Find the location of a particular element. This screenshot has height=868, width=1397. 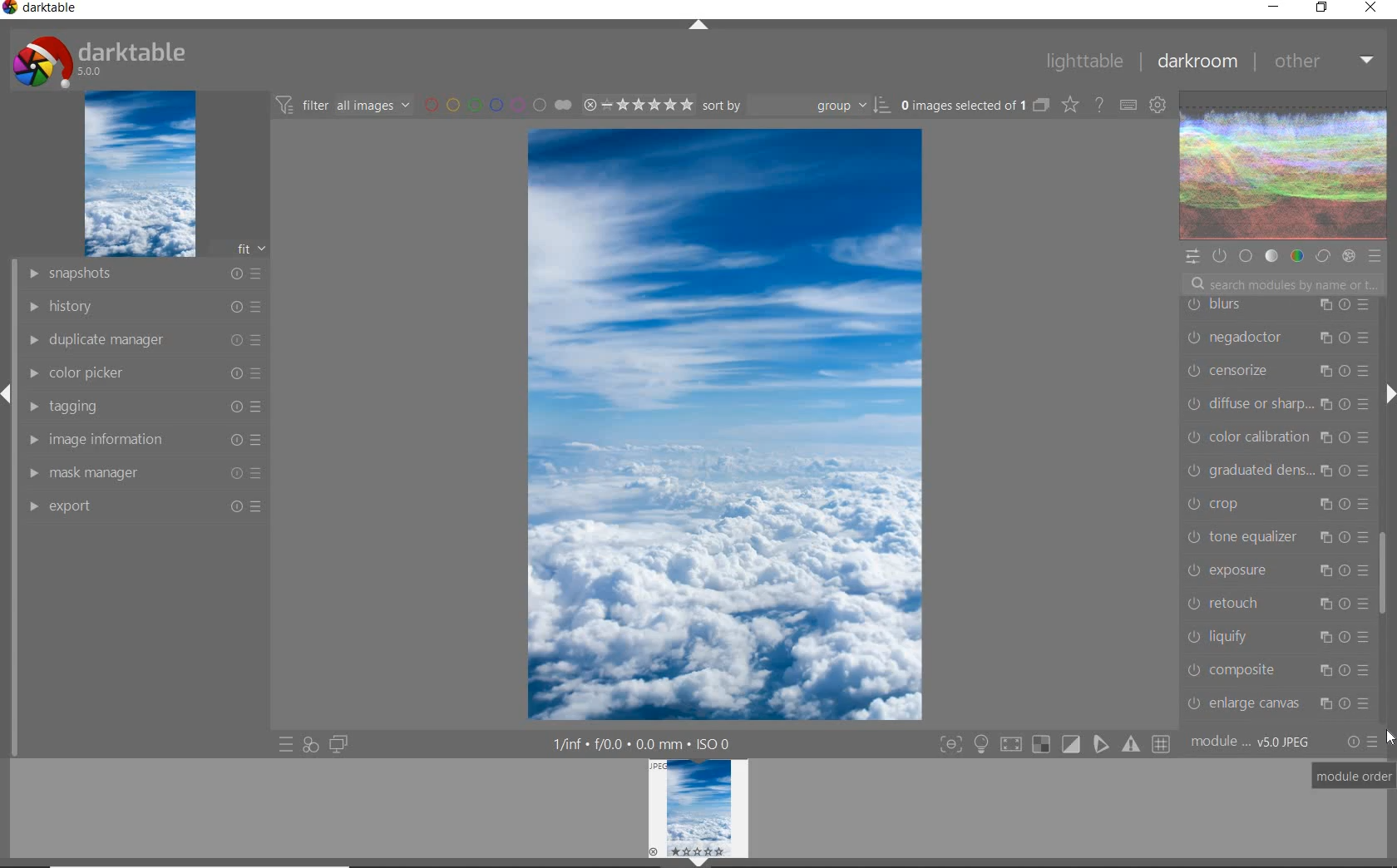

DEFINE KEYBOARD SHORTCUT is located at coordinates (1128, 106).